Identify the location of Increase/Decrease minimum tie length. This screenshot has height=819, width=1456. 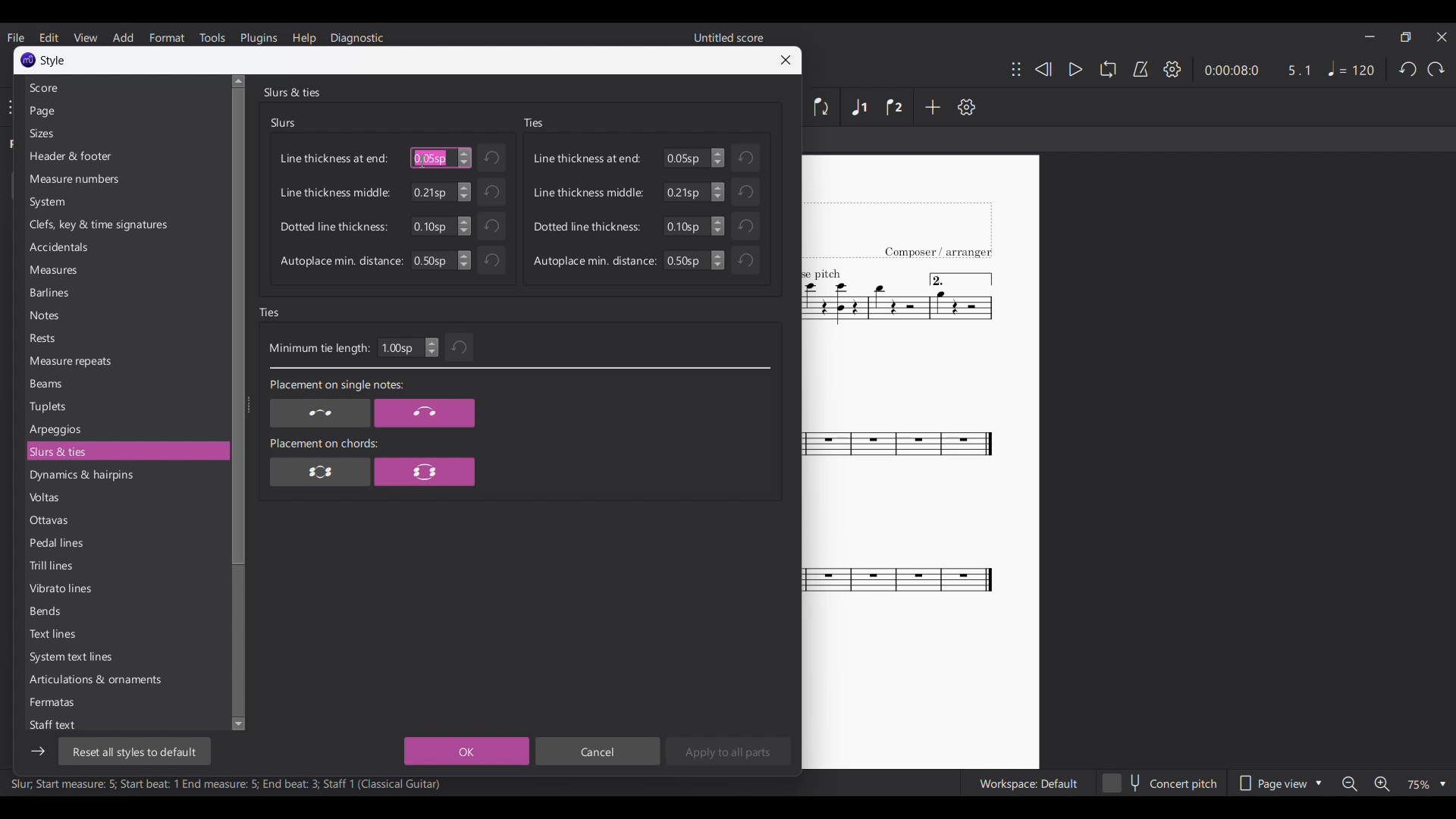
(431, 347).